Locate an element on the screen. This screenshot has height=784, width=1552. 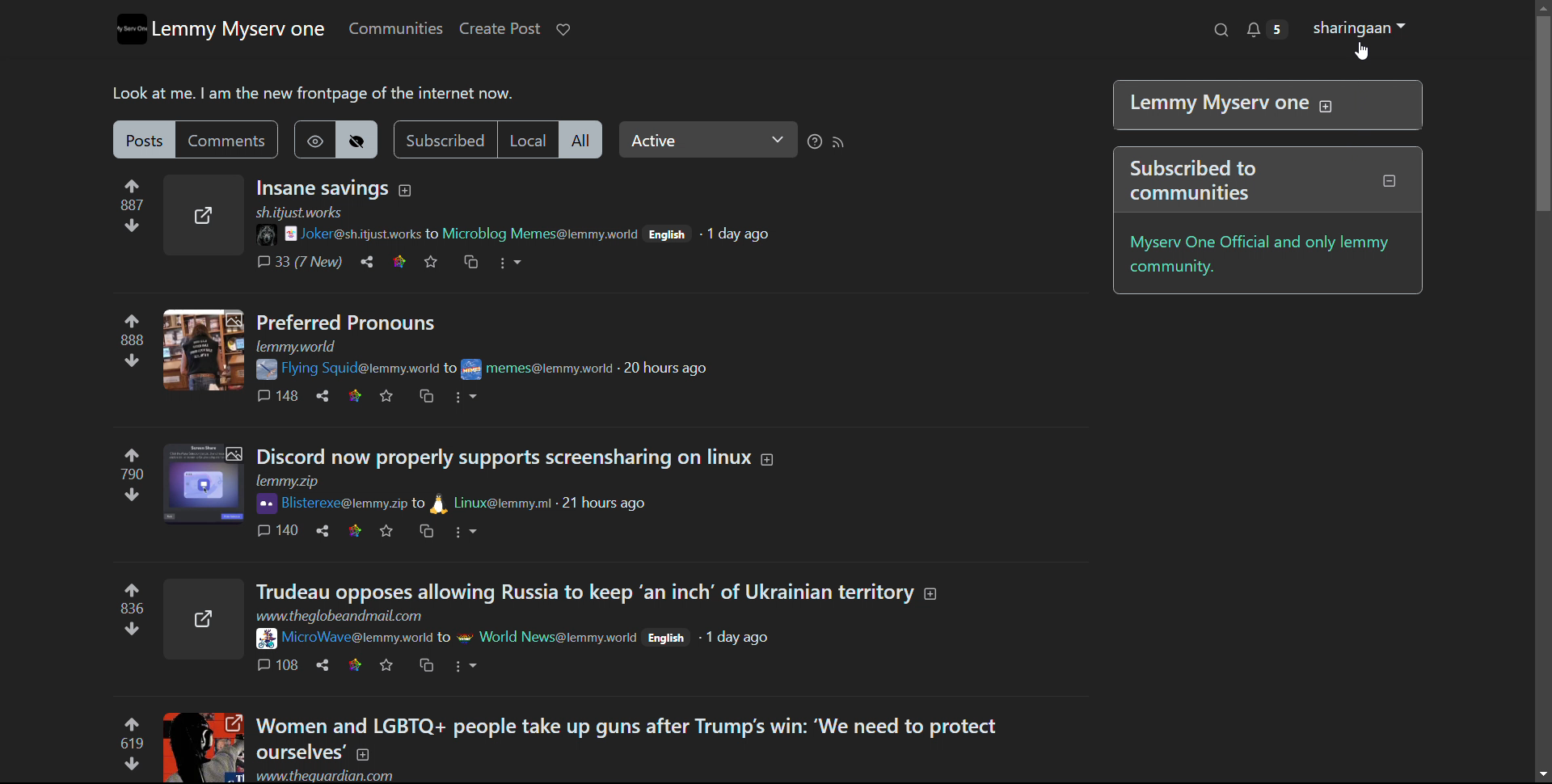
vertical scrollbar is located at coordinates (1541, 114).